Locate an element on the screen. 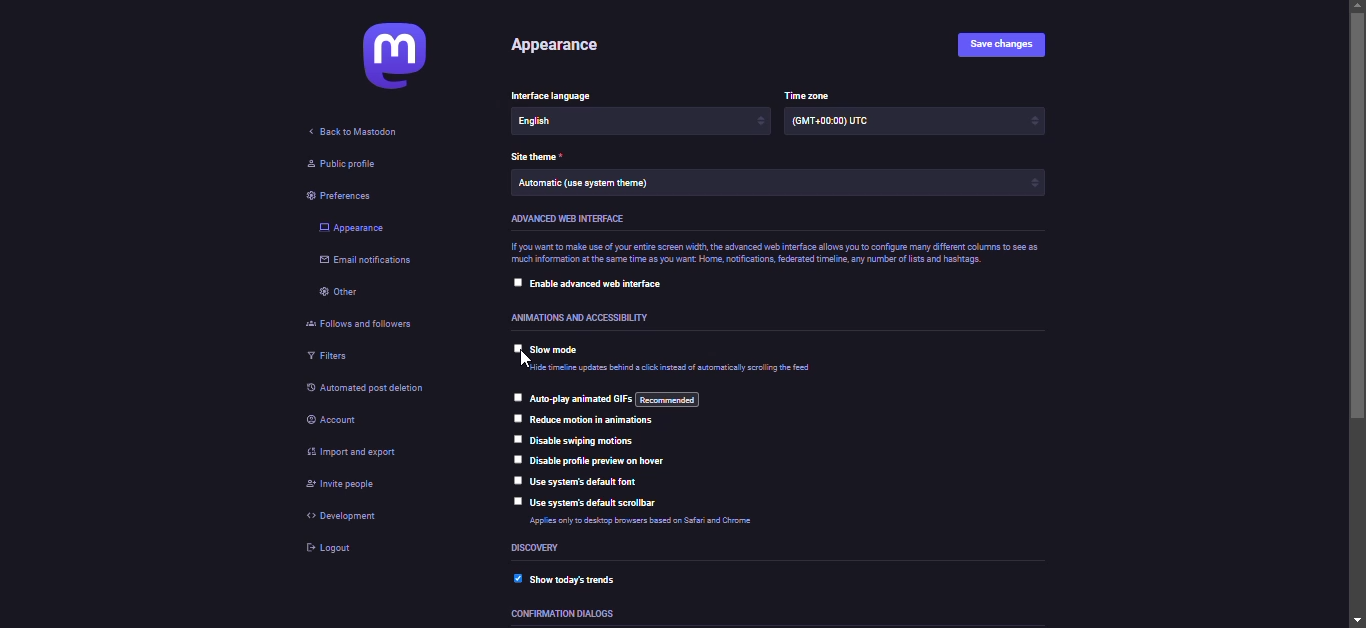 The width and height of the screenshot is (1366, 628). advanced web interface is located at coordinates (566, 222).